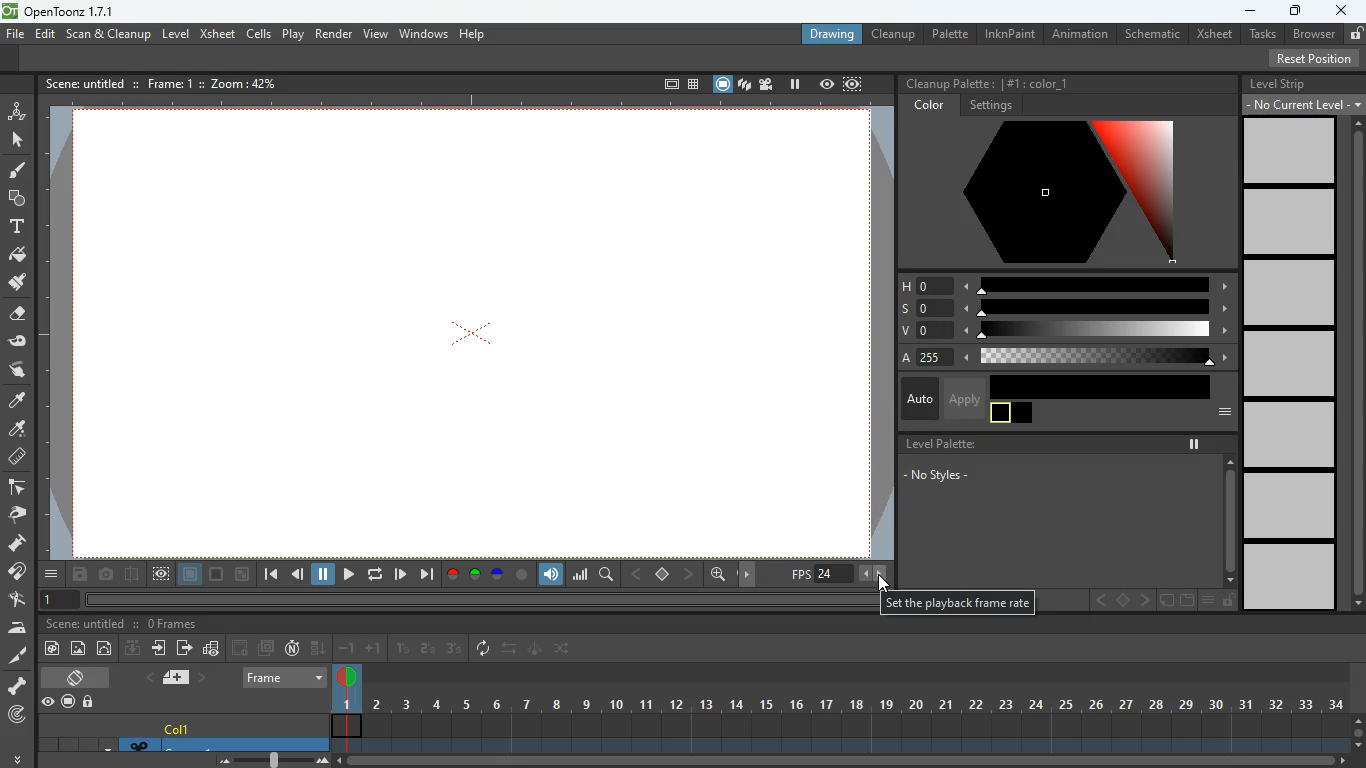  Describe the element at coordinates (552, 574) in the screenshot. I see `volume` at that location.